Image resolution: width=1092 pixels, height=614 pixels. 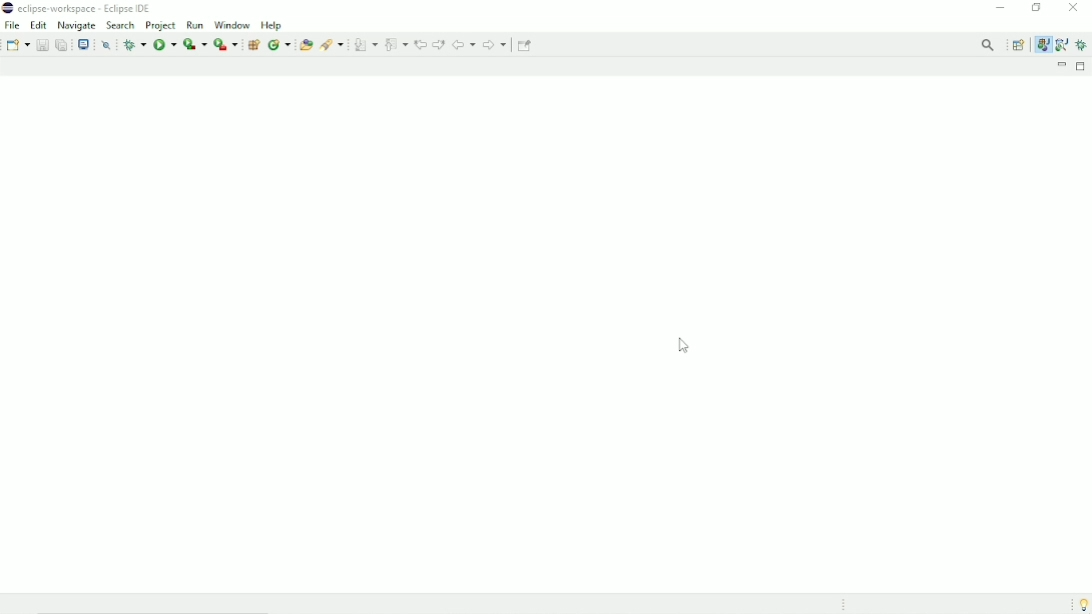 What do you see at coordinates (76, 25) in the screenshot?
I see `Navigate` at bounding box center [76, 25].